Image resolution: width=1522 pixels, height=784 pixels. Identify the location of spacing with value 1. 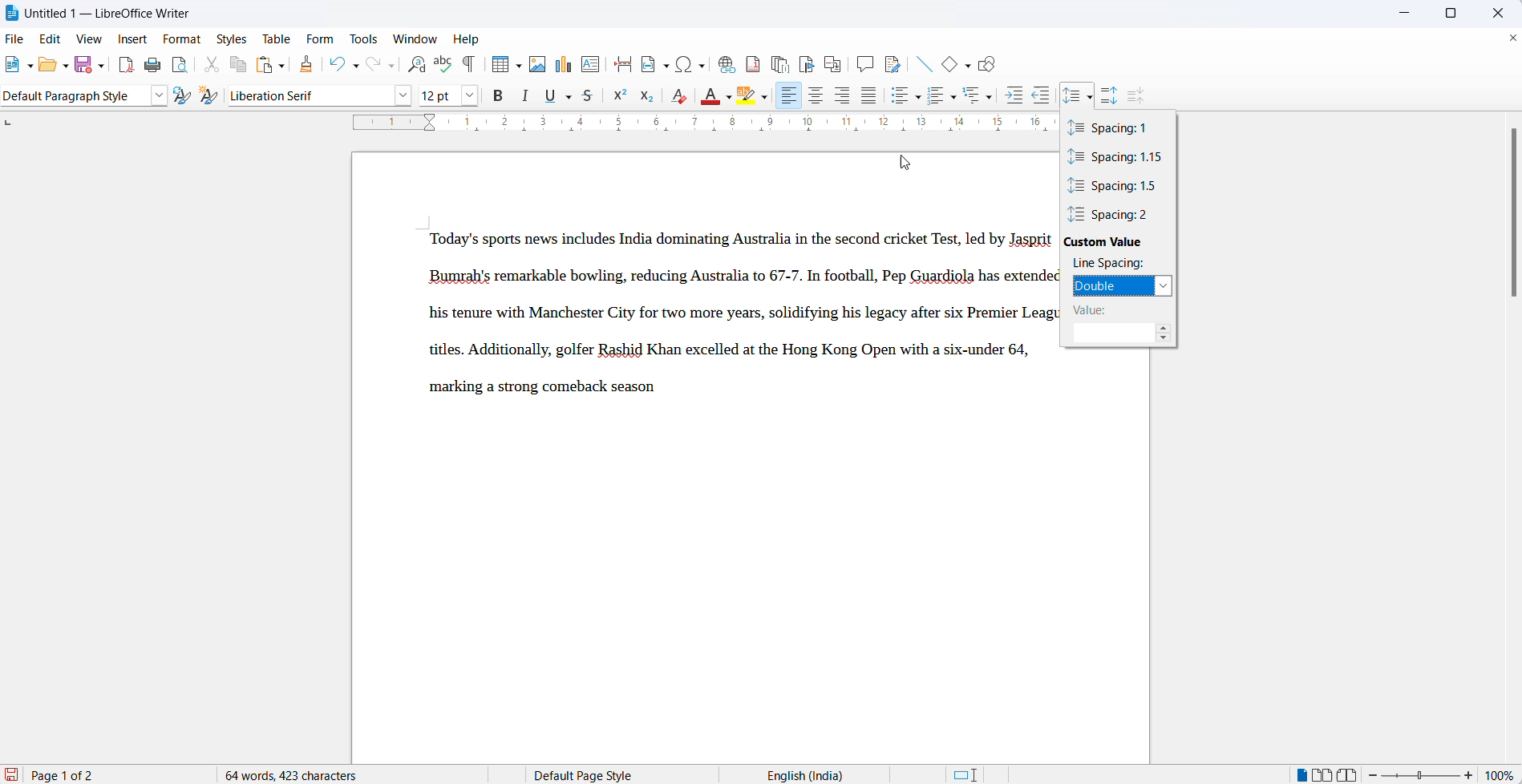
(1111, 128).